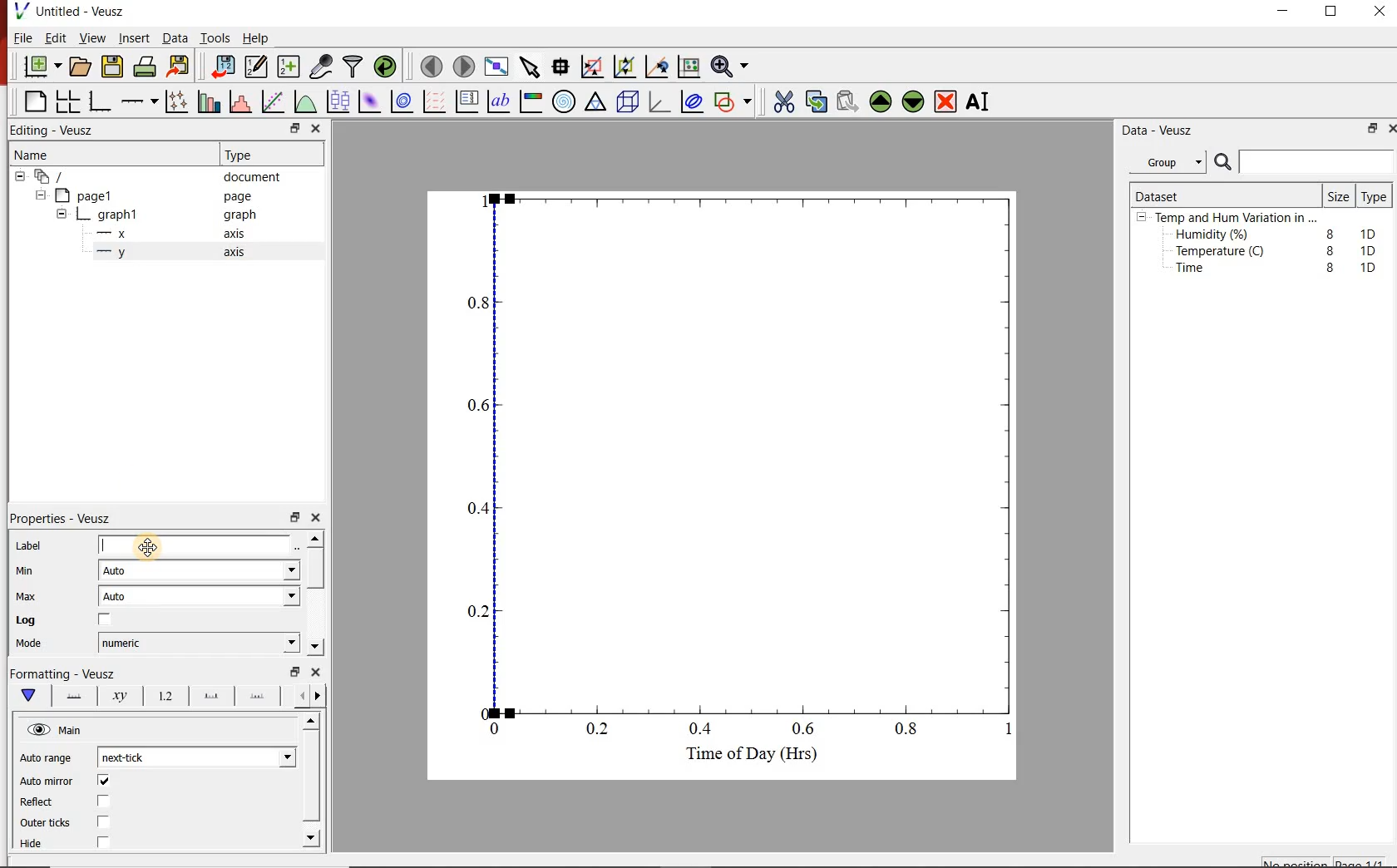  What do you see at coordinates (59, 177) in the screenshot?
I see `document widget` at bounding box center [59, 177].